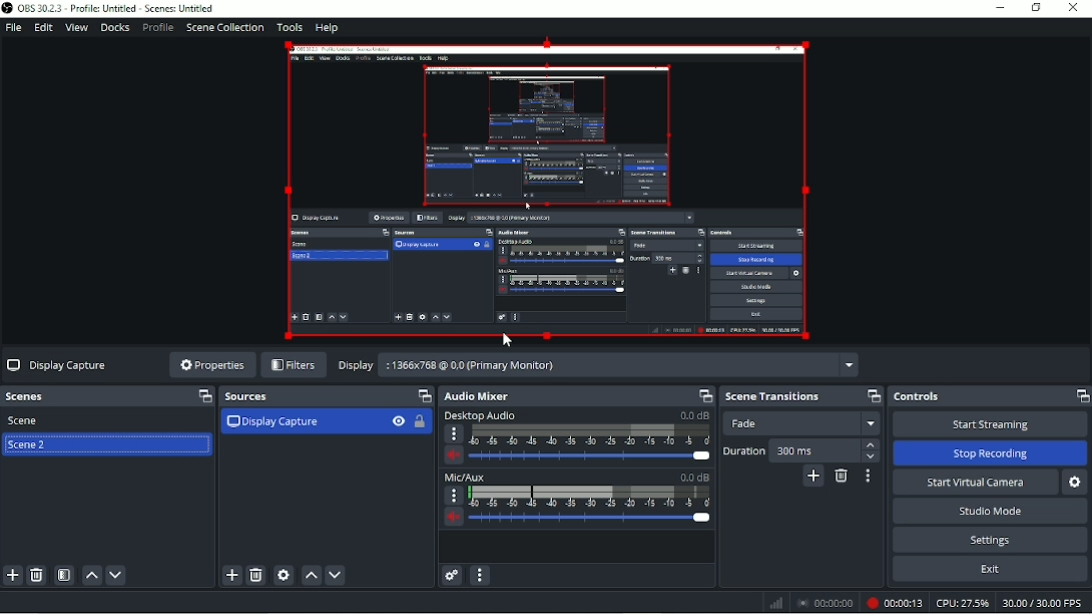 This screenshot has height=614, width=1092. What do you see at coordinates (311, 576) in the screenshot?
I see `Move source(s) up` at bounding box center [311, 576].